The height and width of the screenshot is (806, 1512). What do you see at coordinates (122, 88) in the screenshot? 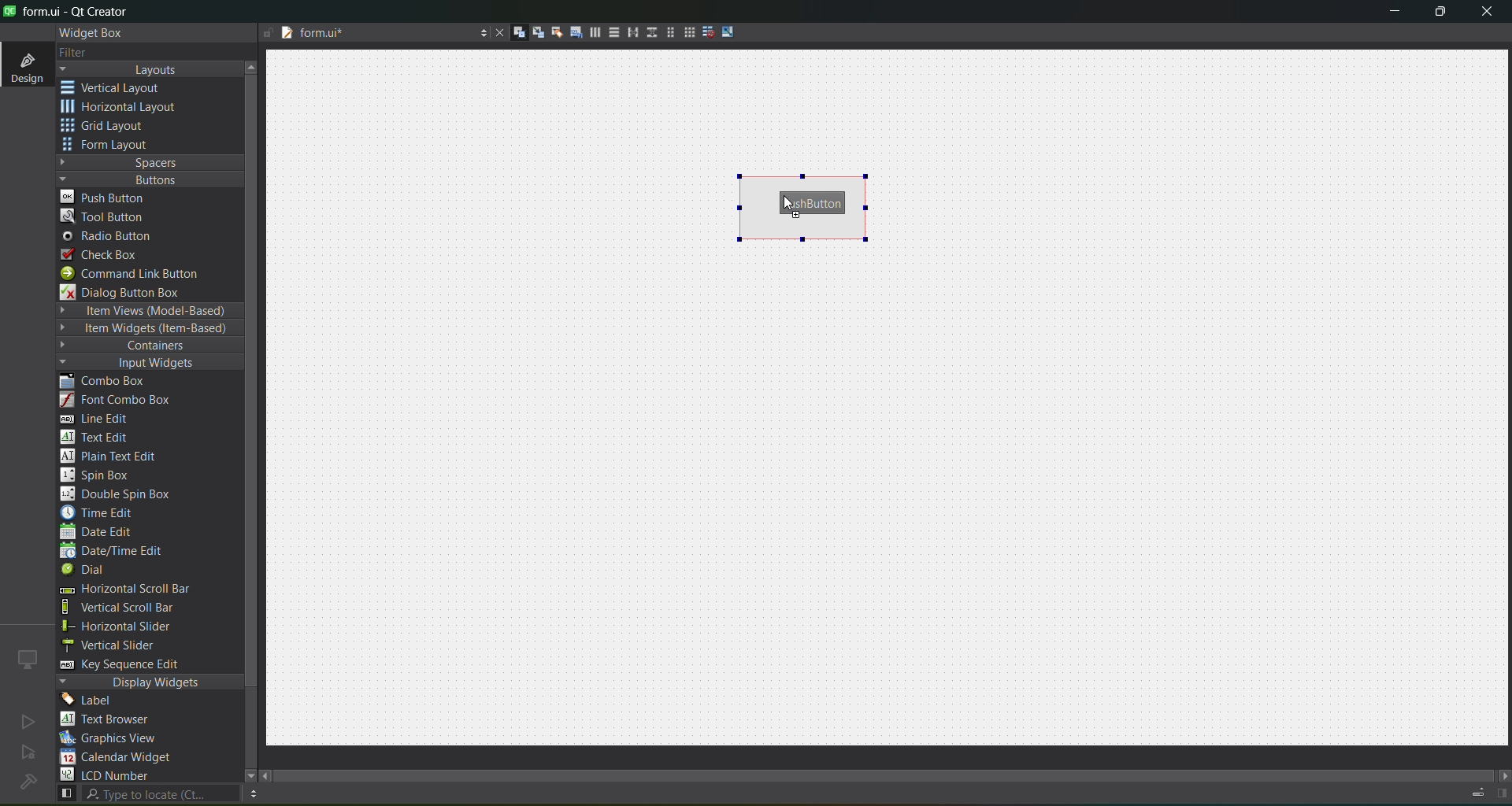
I see `vertical` at bounding box center [122, 88].